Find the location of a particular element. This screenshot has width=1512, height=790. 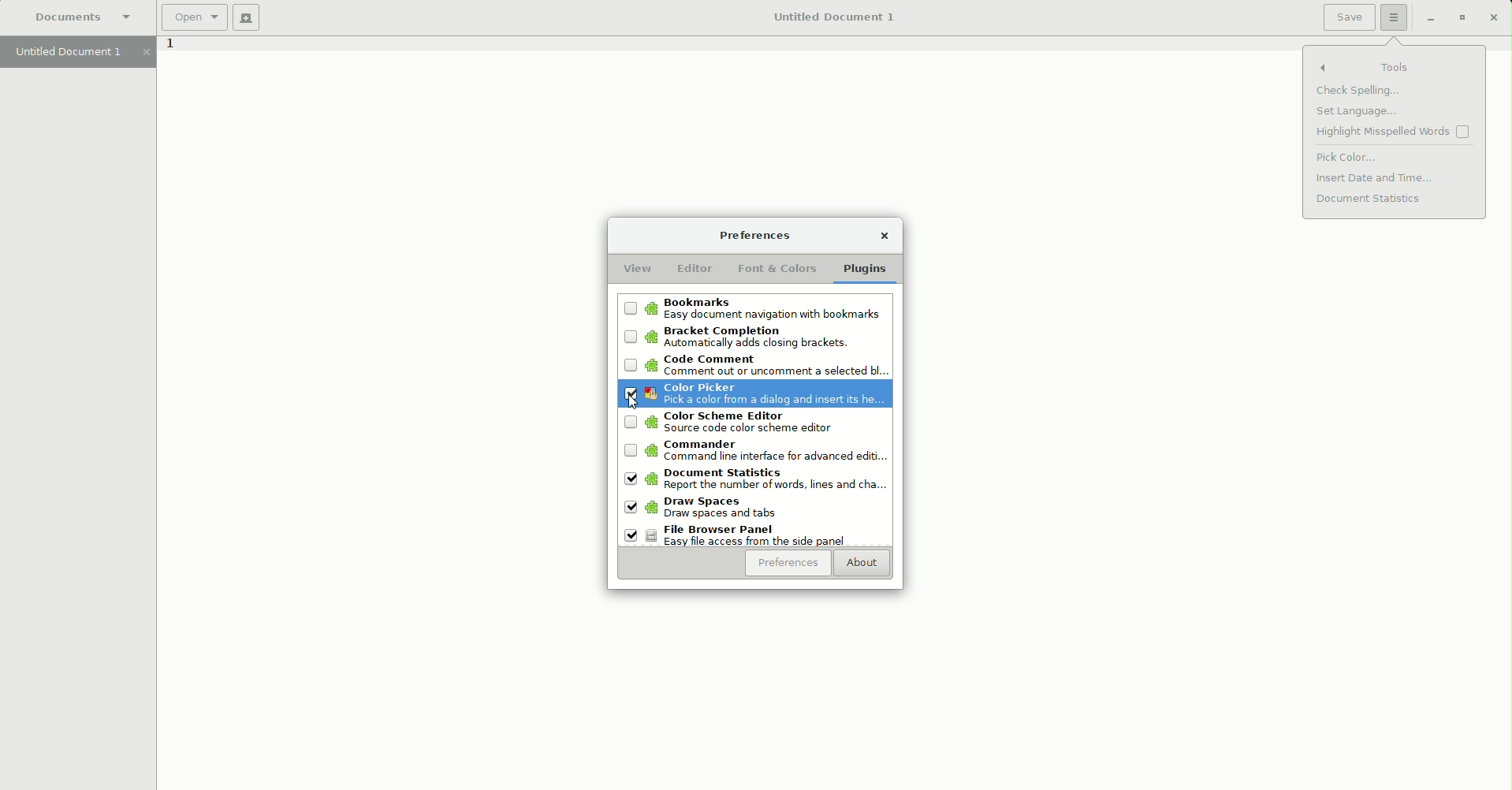

Bookmarks: Easy document navigation with bookmarks is located at coordinates (754, 308).